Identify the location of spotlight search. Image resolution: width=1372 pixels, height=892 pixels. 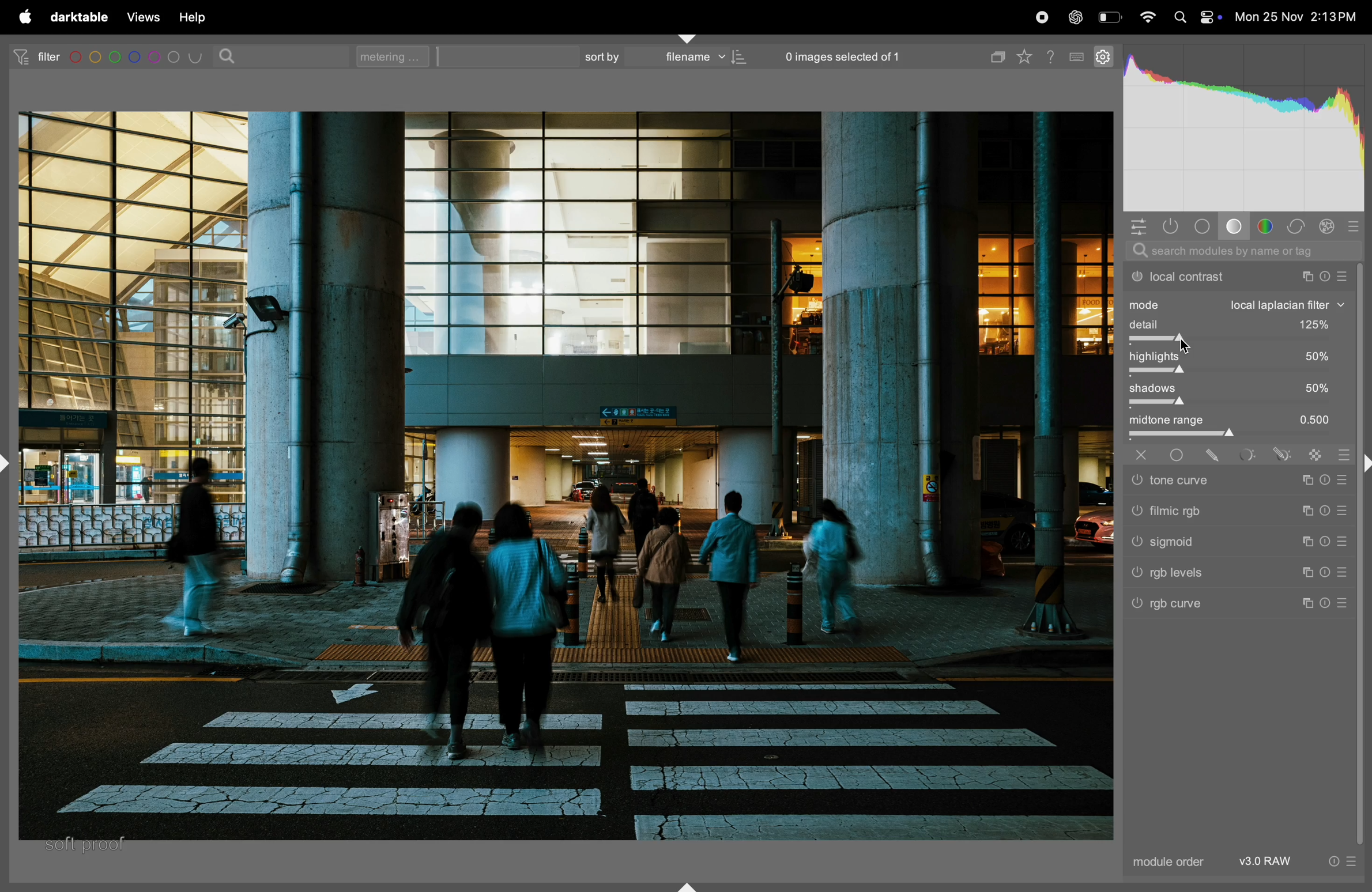
(1179, 17).